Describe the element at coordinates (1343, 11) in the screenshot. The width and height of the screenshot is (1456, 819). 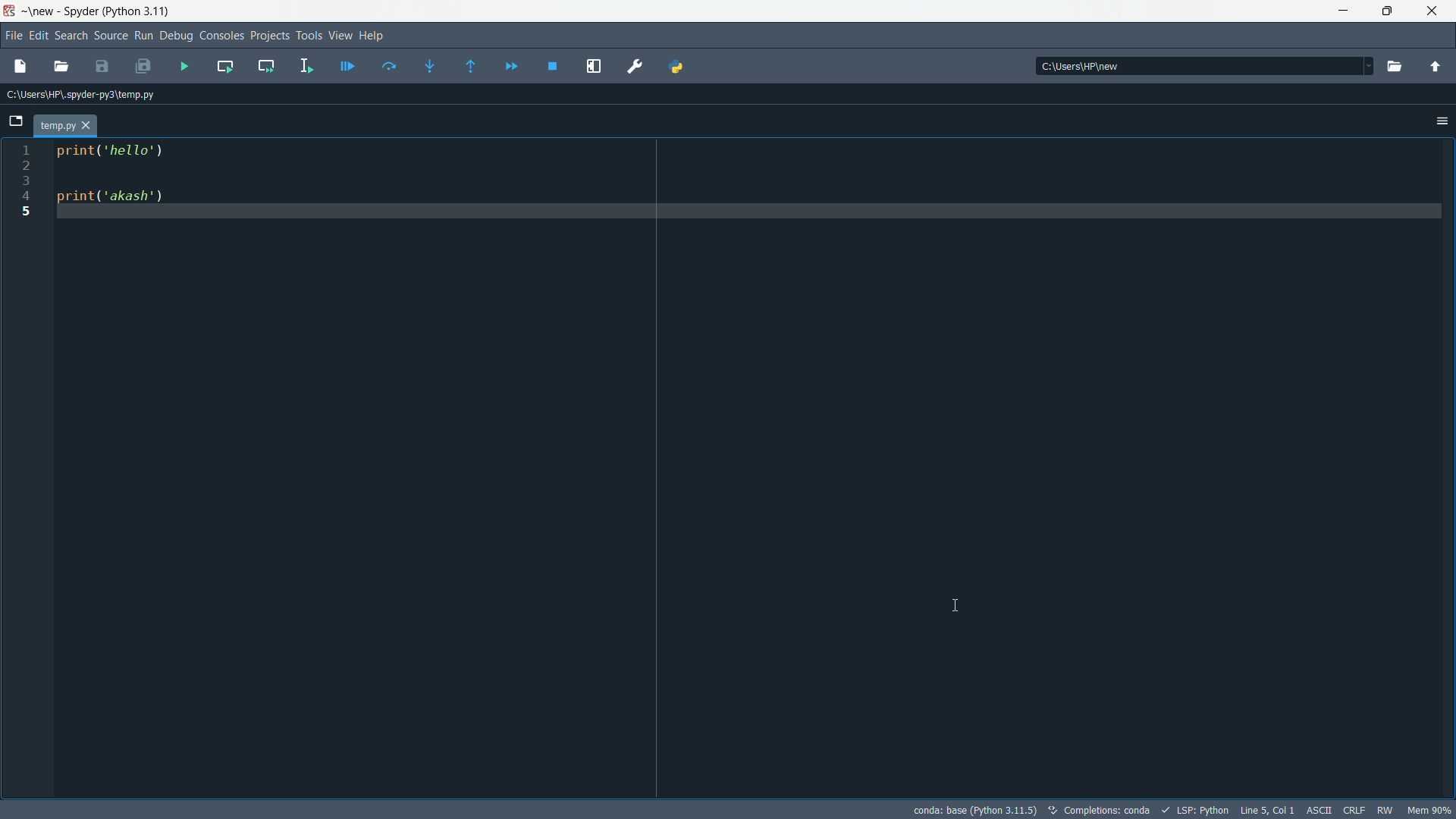
I see `minimize` at that location.